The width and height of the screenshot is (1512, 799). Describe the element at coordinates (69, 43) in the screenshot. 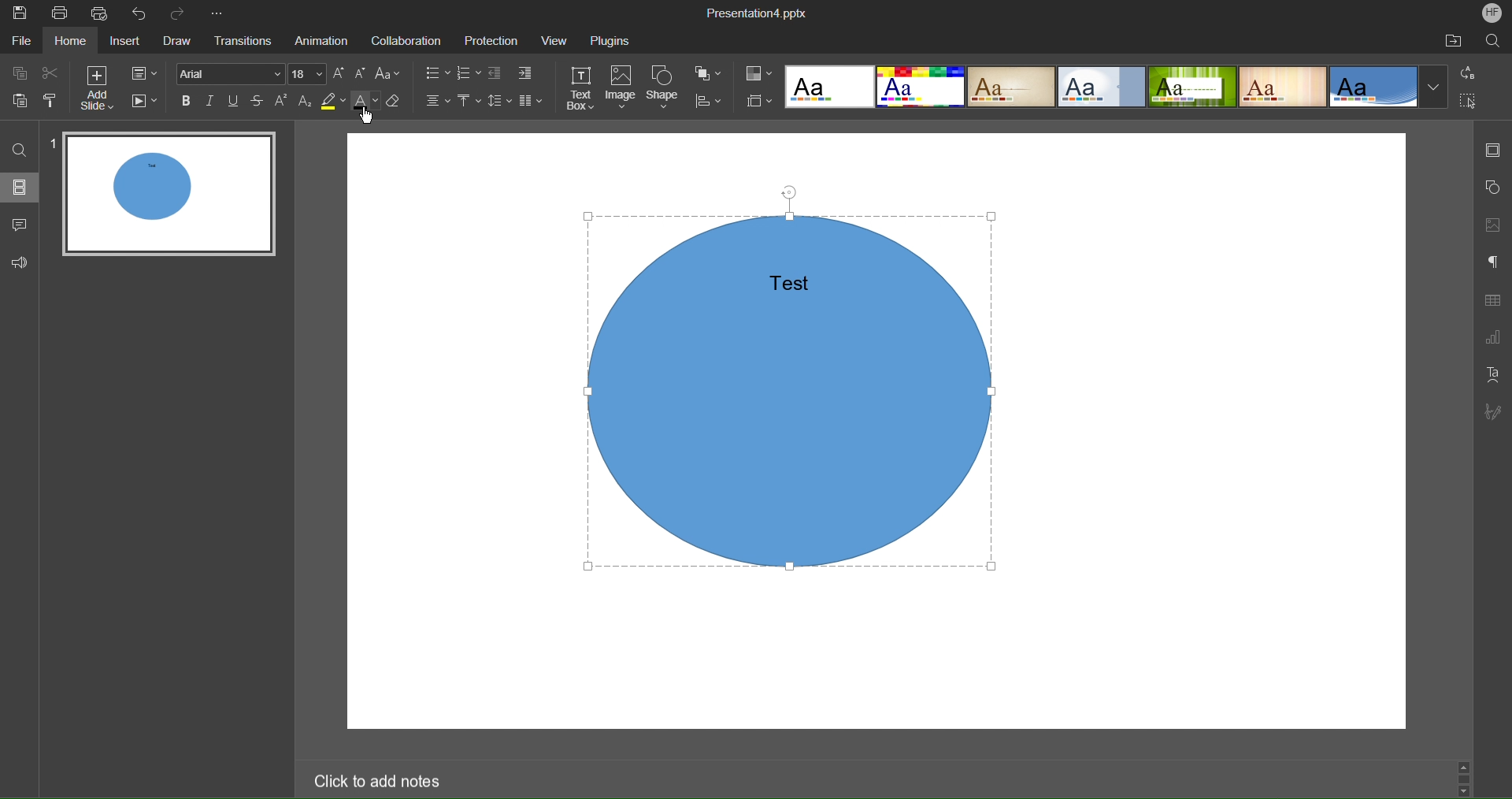

I see `Home` at that location.